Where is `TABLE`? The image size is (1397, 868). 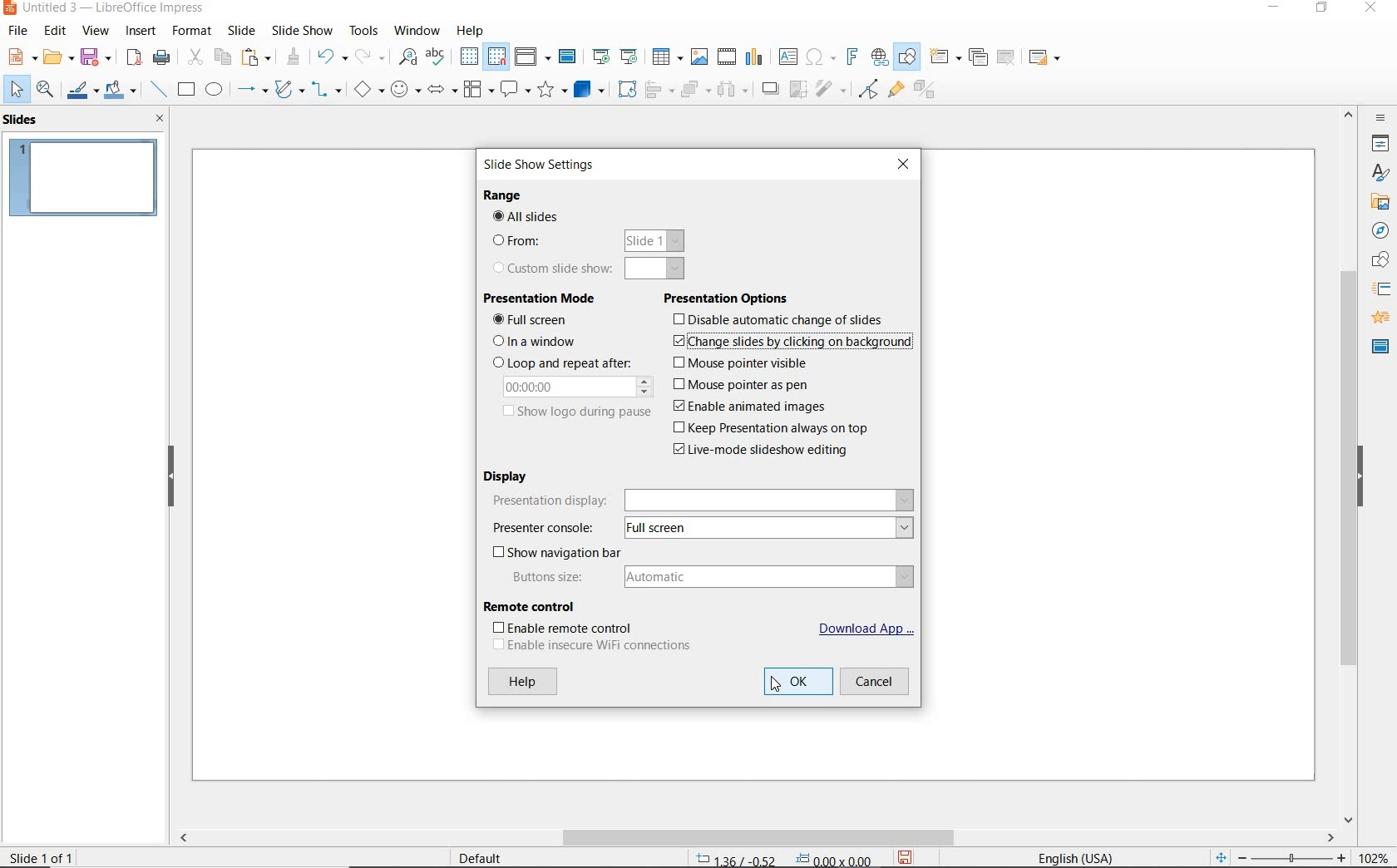 TABLE is located at coordinates (664, 57).